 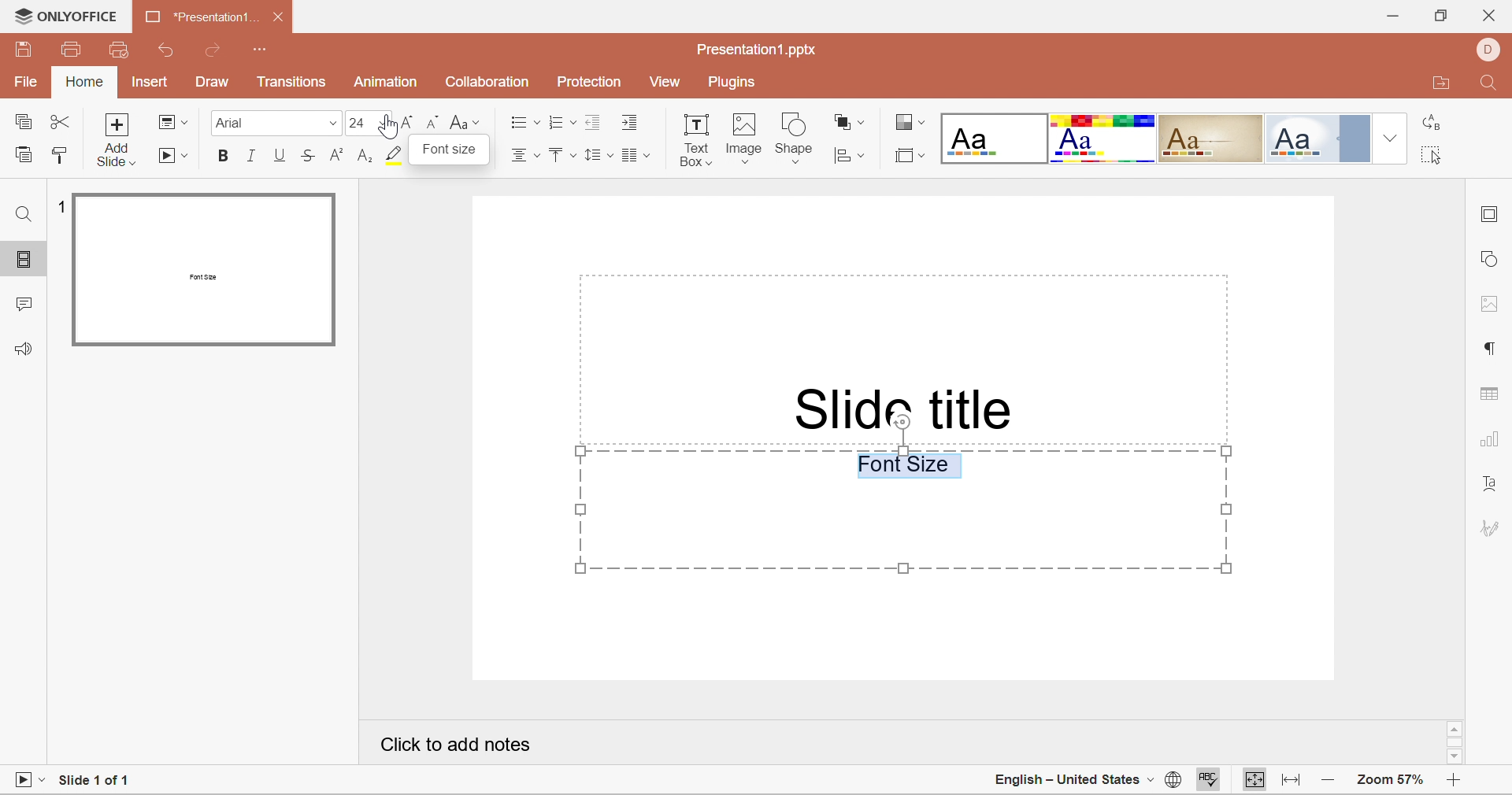 I want to click on slide settings, so click(x=1491, y=217).